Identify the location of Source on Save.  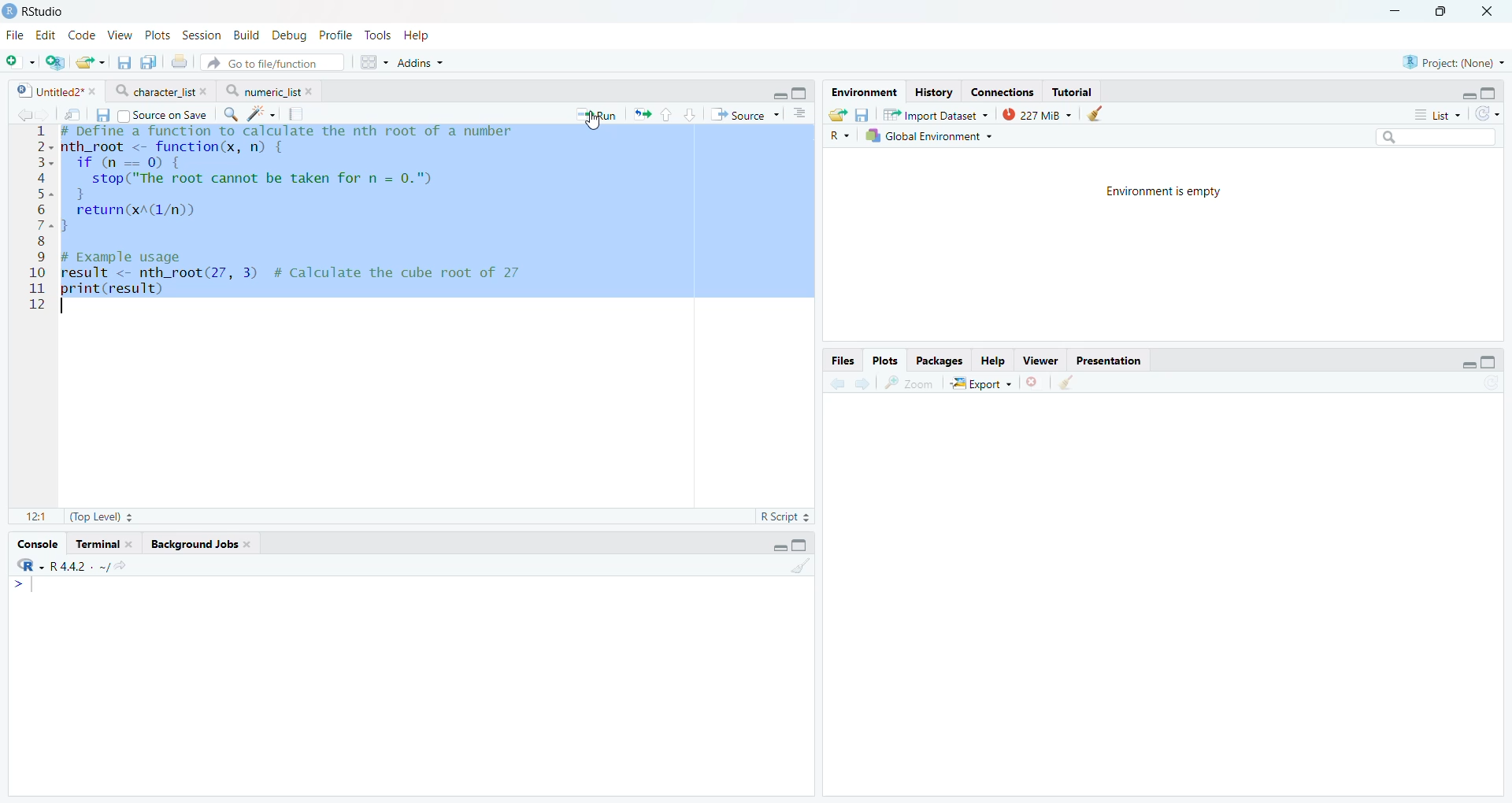
(162, 115).